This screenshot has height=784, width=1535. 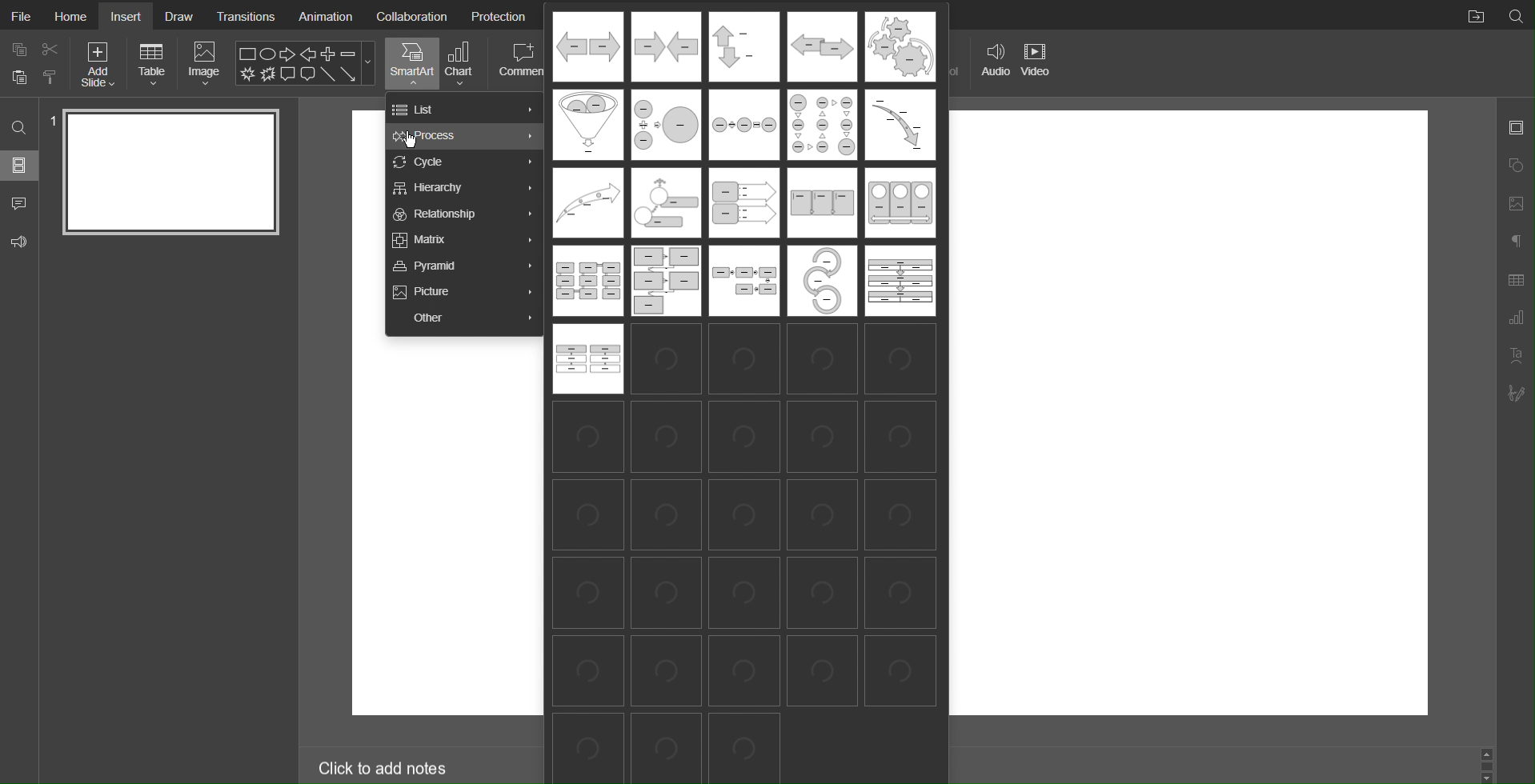 What do you see at coordinates (746, 123) in the screenshot?
I see `Process Template 8` at bounding box center [746, 123].